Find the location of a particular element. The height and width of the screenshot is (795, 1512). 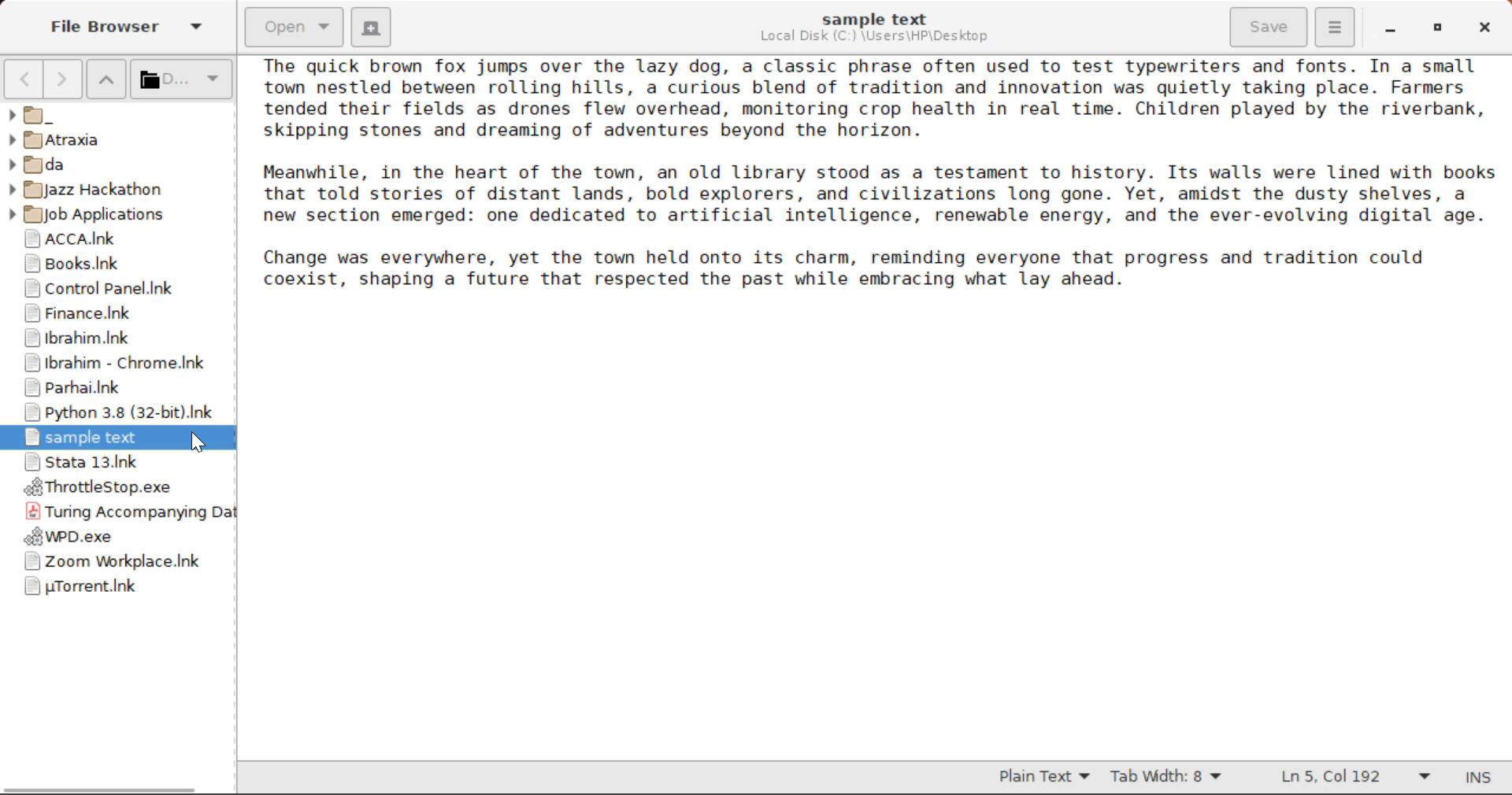

Sample text about a town. is located at coordinates (880, 201).